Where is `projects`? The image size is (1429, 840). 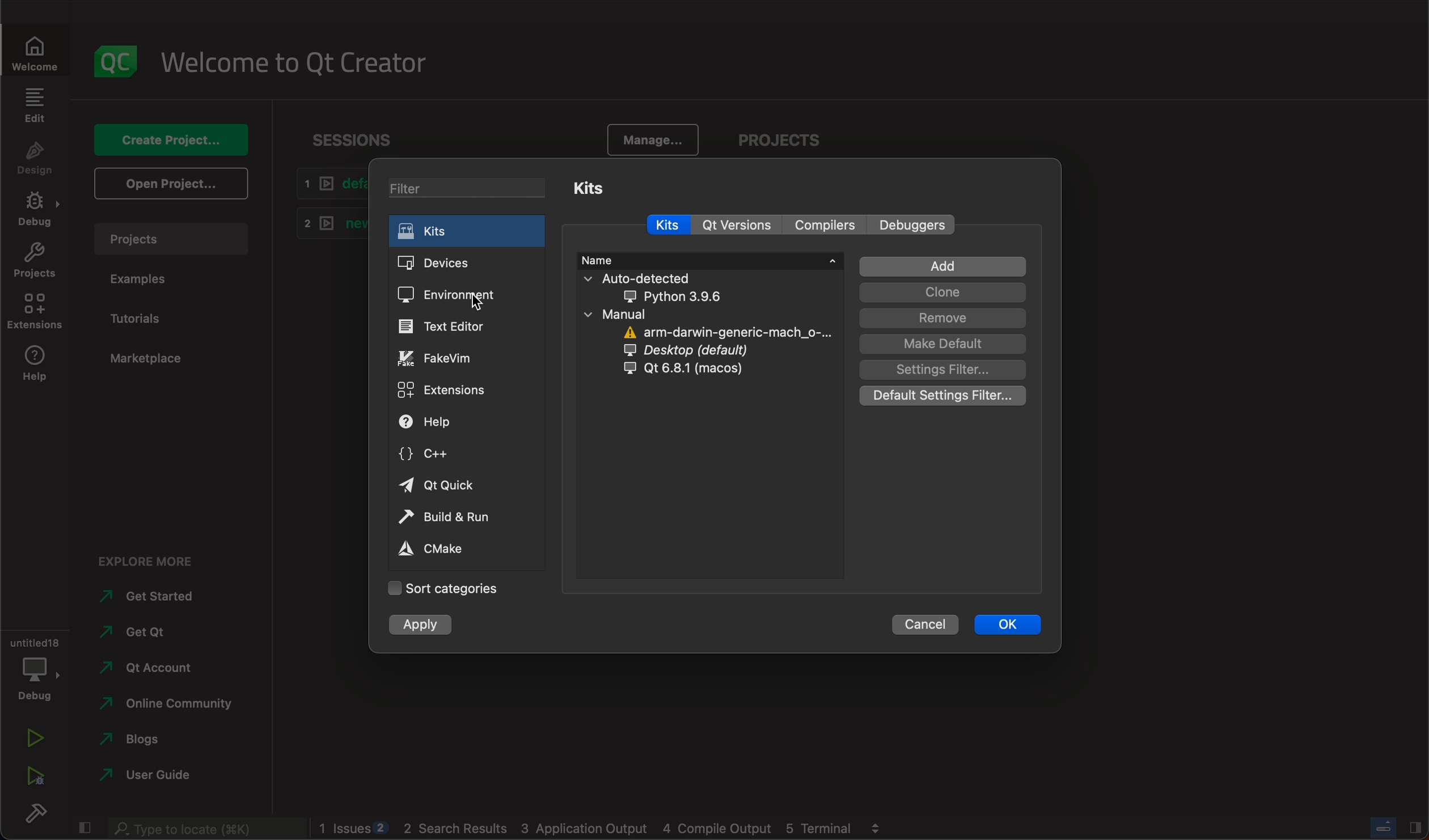
projects is located at coordinates (817, 139).